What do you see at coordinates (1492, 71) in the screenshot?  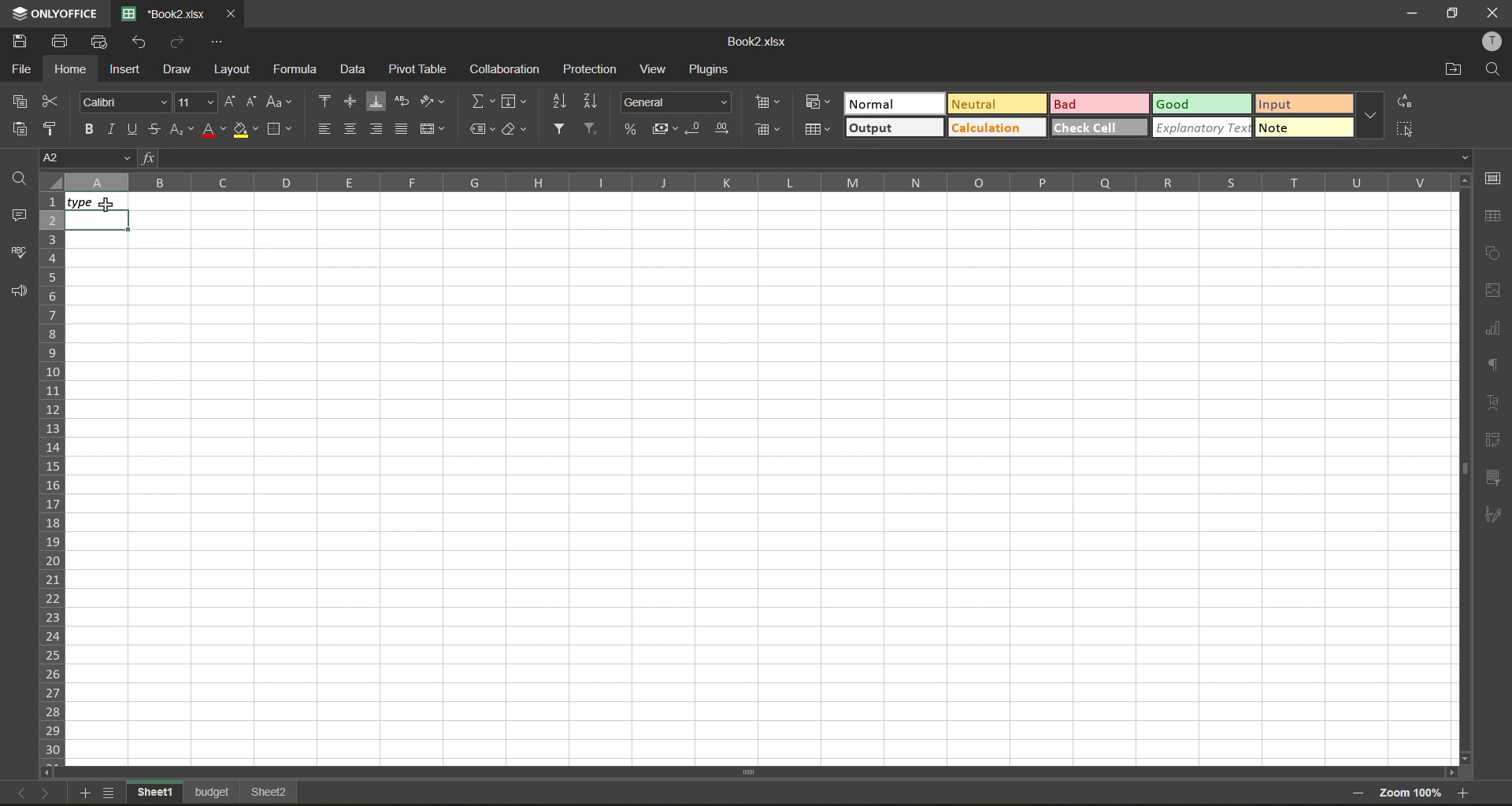 I see `find` at bounding box center [1492, 71].